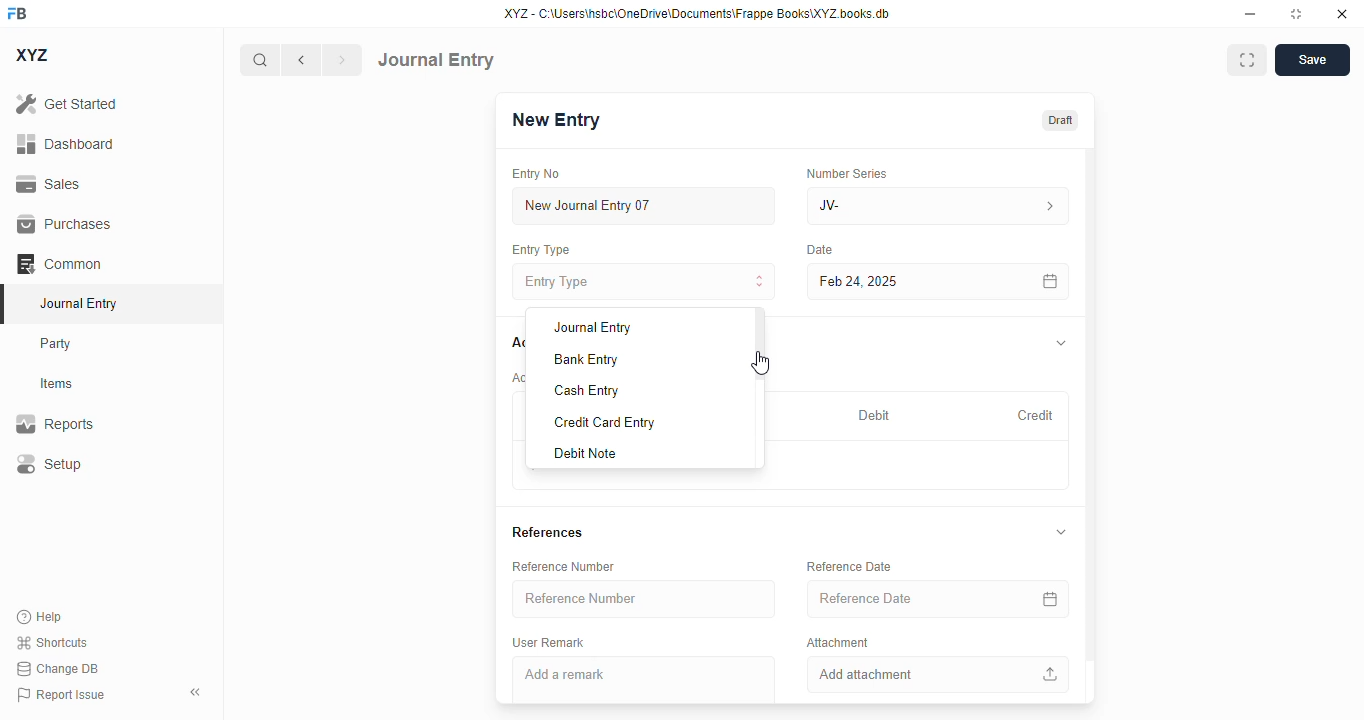 The width and height of the screenshot is (1364, 720). What do you see at coordinates (820, 250) in the screenshot?
I see `date` at bounding box center [820, 250].